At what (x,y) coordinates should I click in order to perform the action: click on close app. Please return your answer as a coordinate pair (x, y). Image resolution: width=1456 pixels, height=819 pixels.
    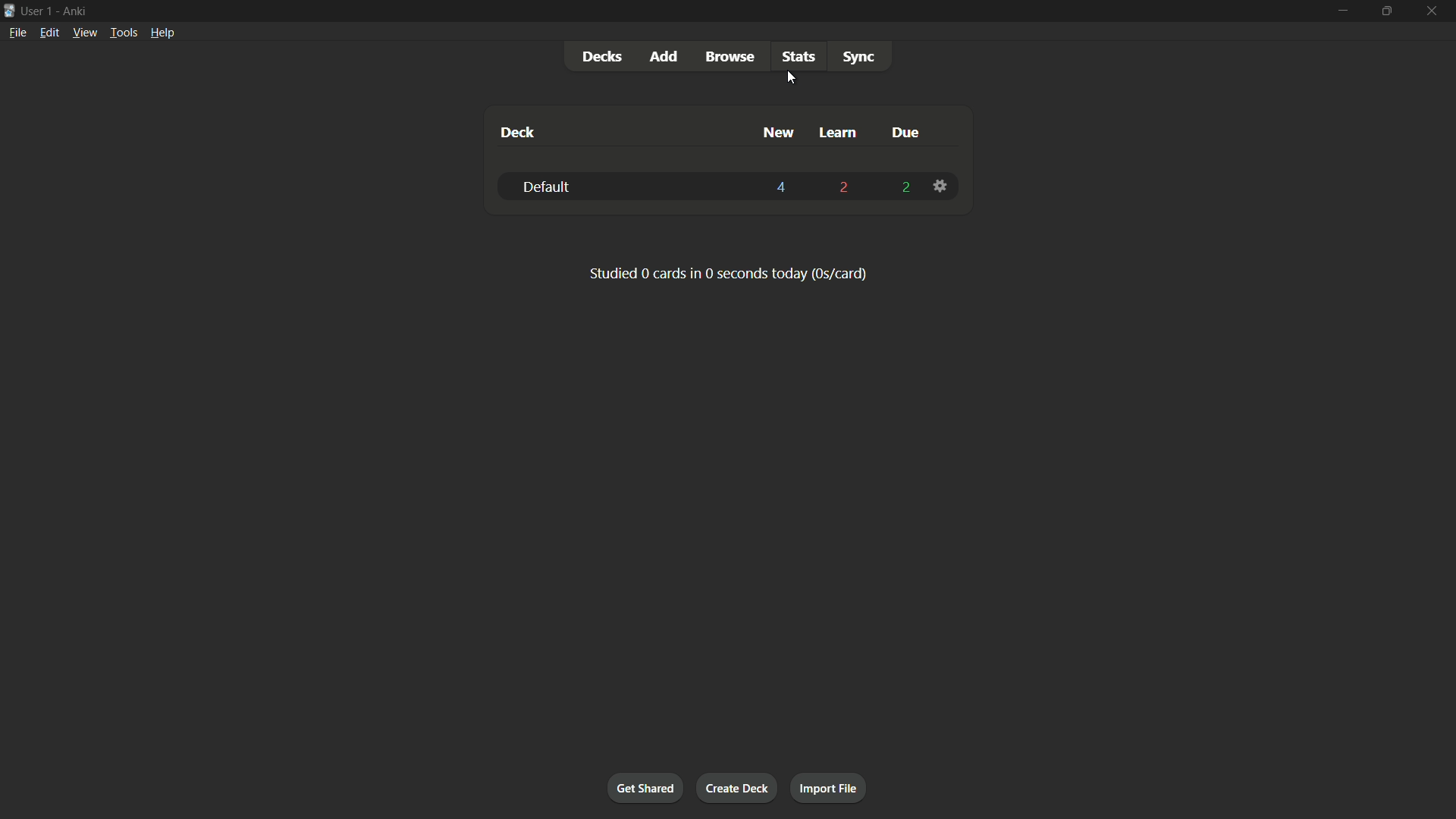
    Looking at the image, I should click on (1433, 11).